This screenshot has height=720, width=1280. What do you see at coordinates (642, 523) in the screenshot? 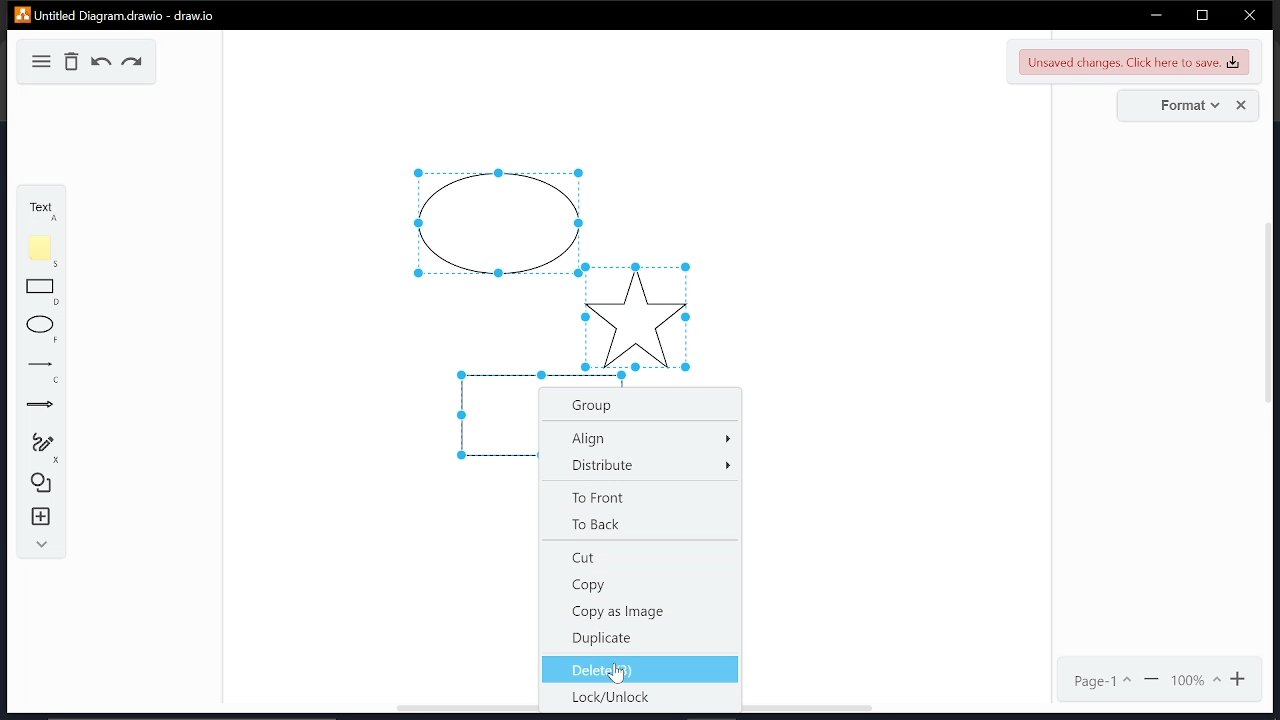
I see `to back` at bounding box center [642, 523].